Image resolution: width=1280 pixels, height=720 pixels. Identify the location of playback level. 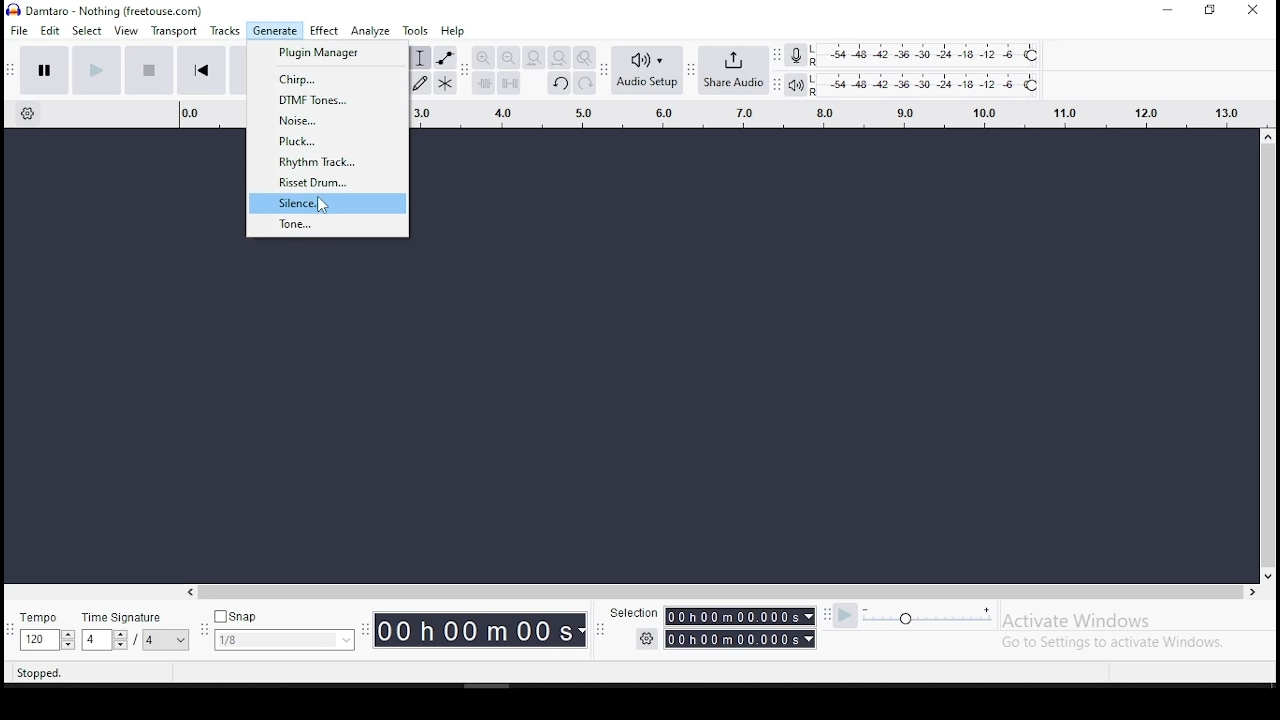
(929, 85).